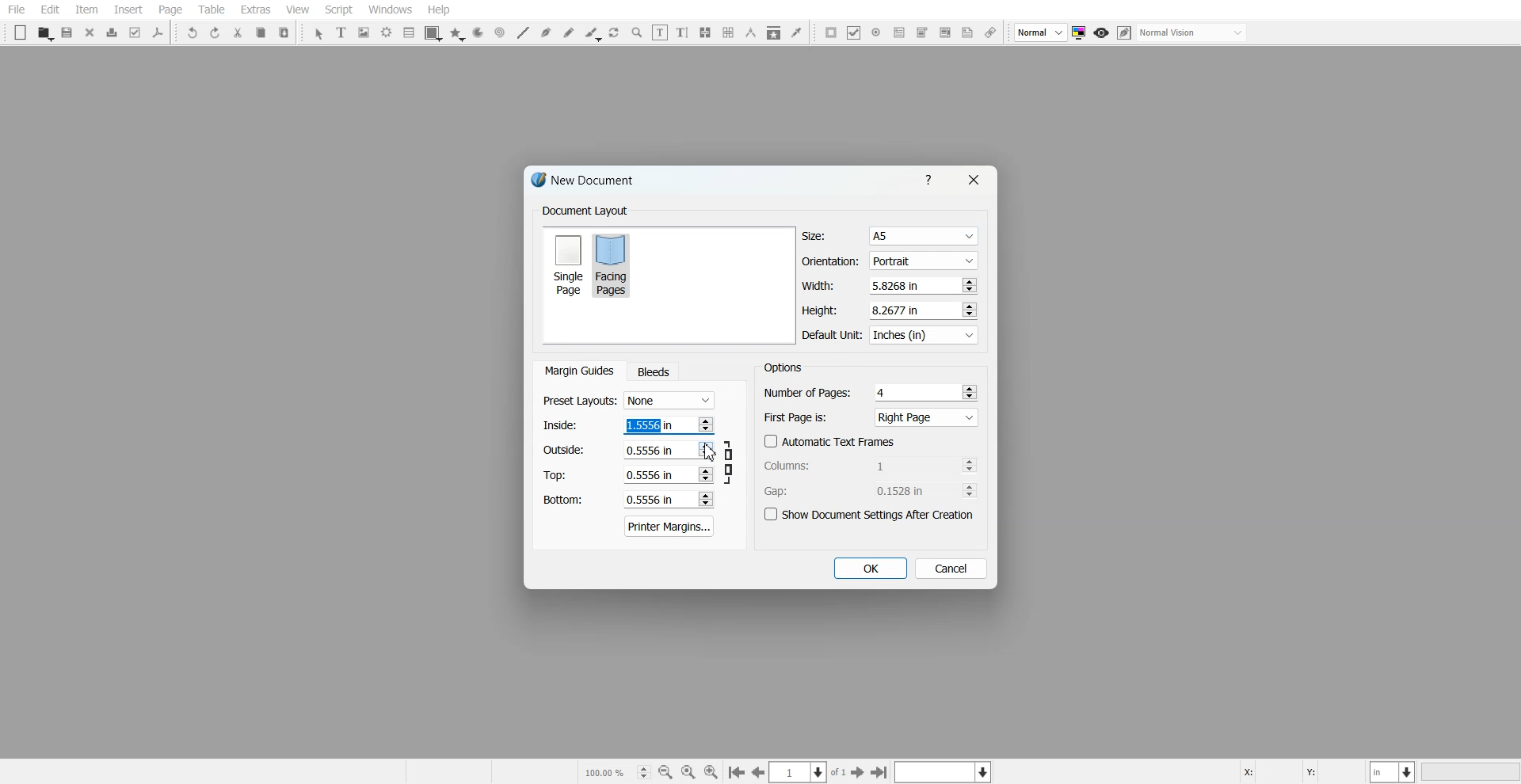 The width and height of the screenshot is (1521, 784). What do you see at coordinates (522, 32) in the screenshot?
I see `Line` at bounding box center [522, 32].